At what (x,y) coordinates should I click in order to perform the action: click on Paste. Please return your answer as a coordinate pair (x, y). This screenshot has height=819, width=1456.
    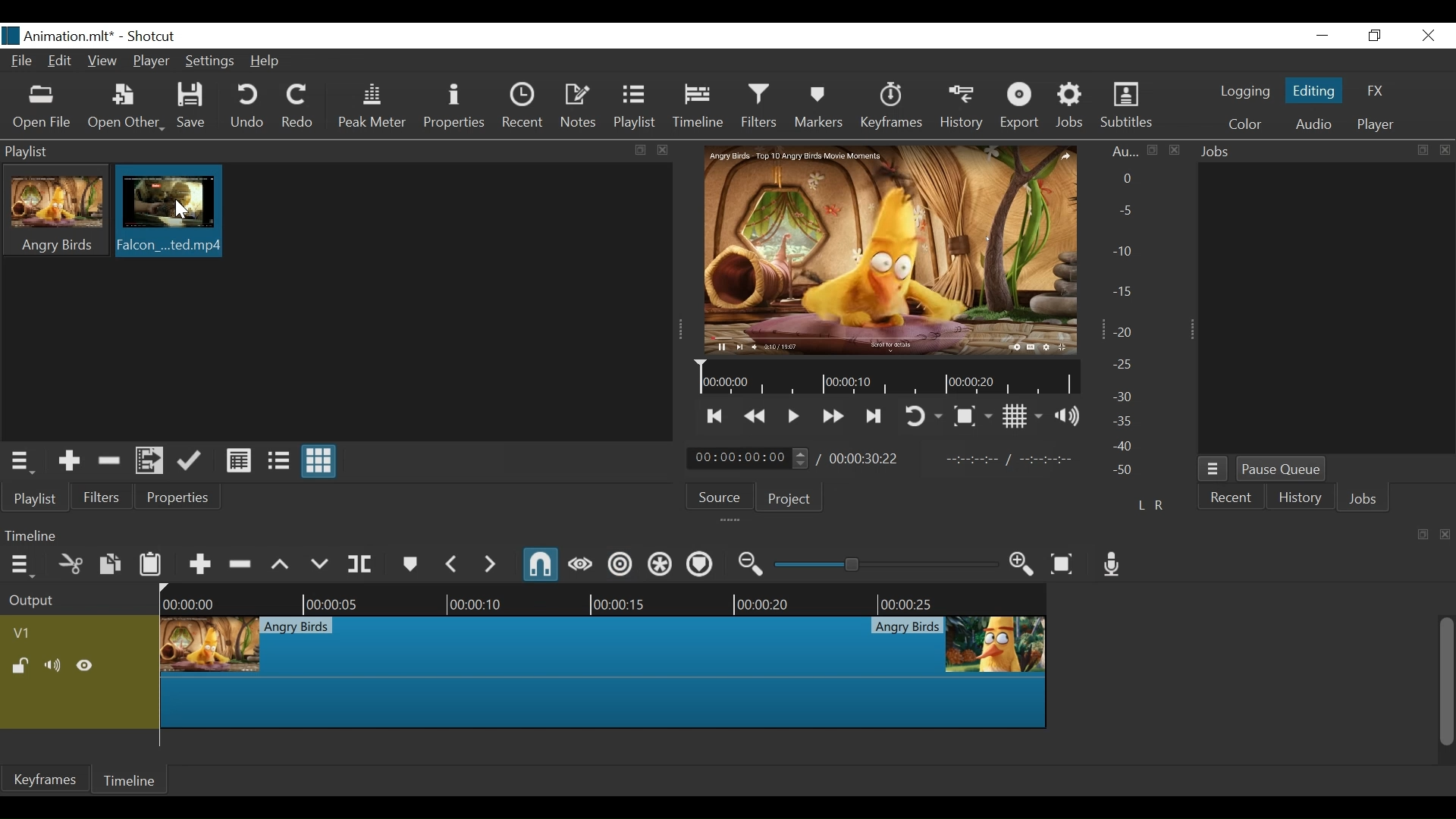
    Looking at the image, I should click on (151, 562).